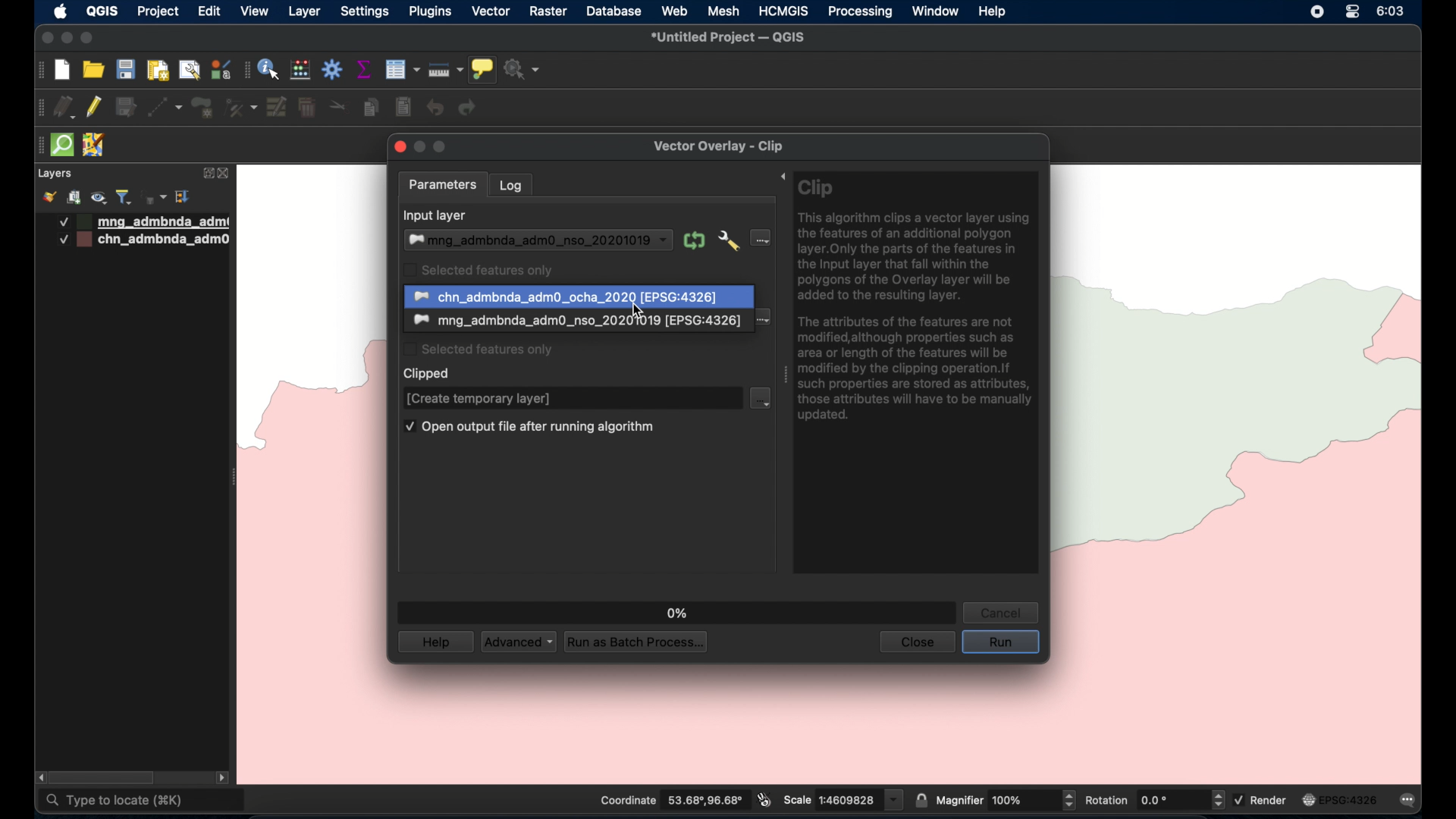 The height and width of the screenshot is (819, 1456). I want to click on coordinate, so click(670, 800).